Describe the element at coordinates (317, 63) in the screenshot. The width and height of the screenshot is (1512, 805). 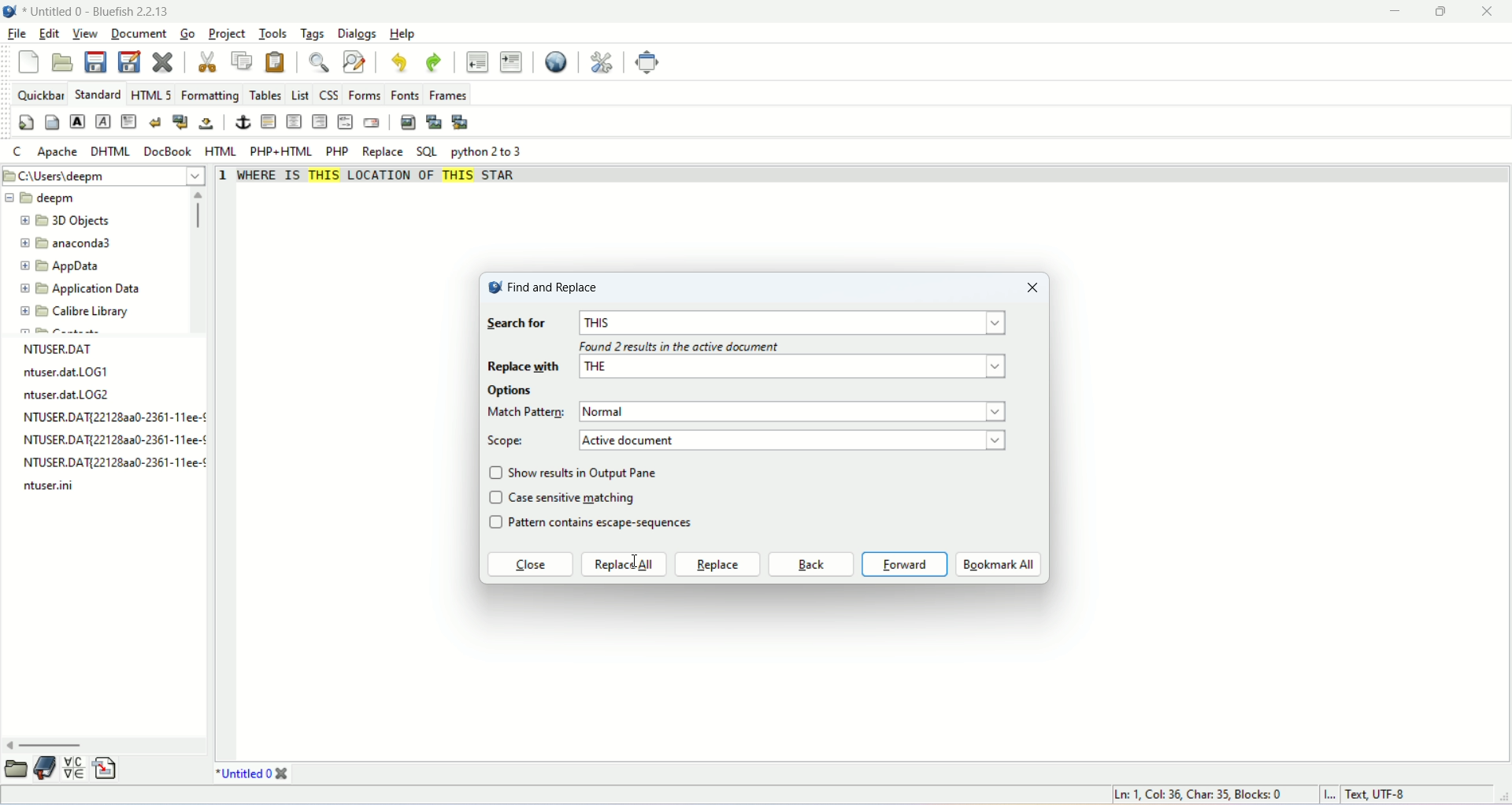
I see `find` at that location.